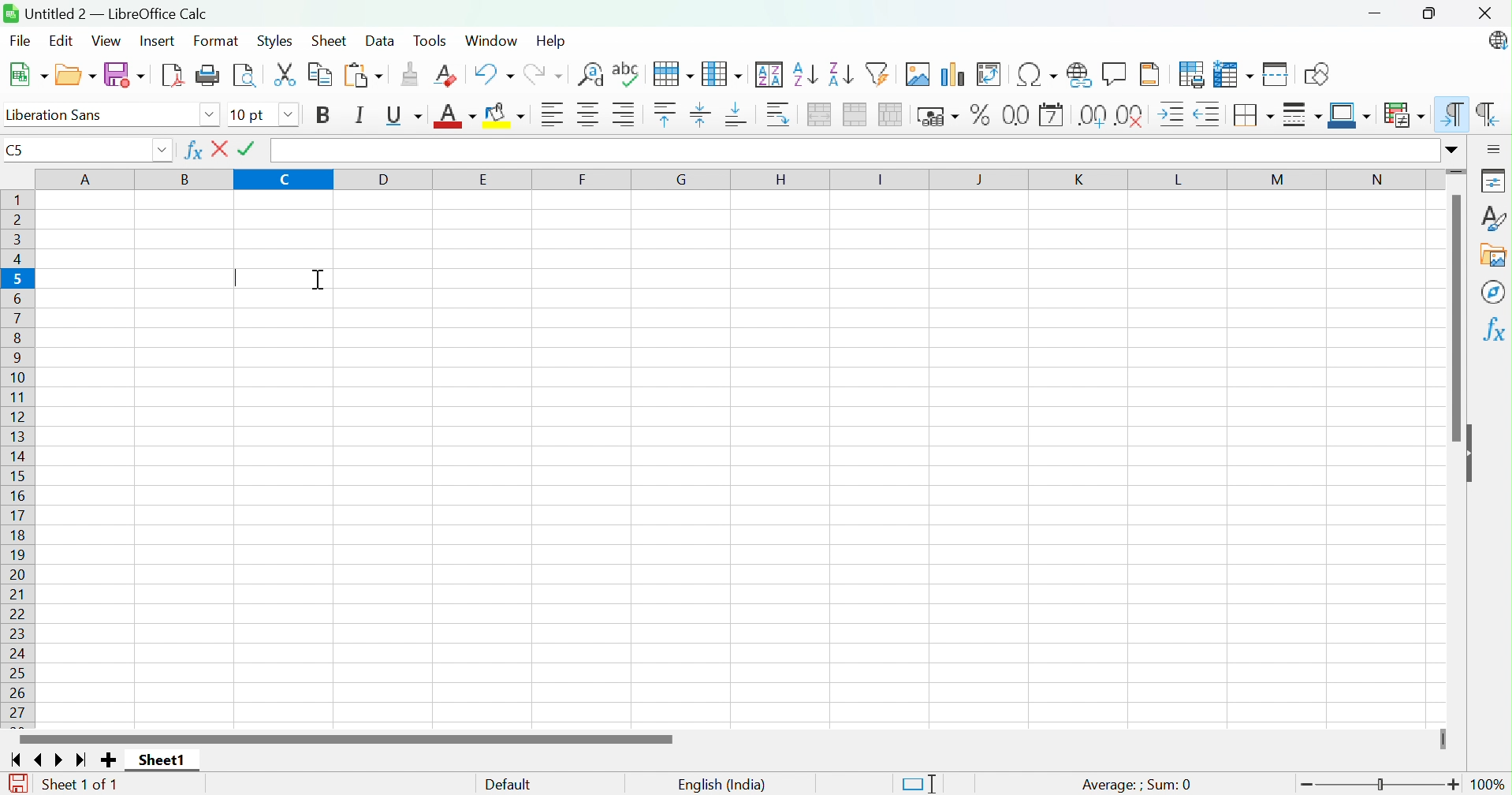 The image size is (1512, 795). What do you see at coordinates (251, 149) in the screenshot?
I see `Tick` at bounding box center [251, 149].